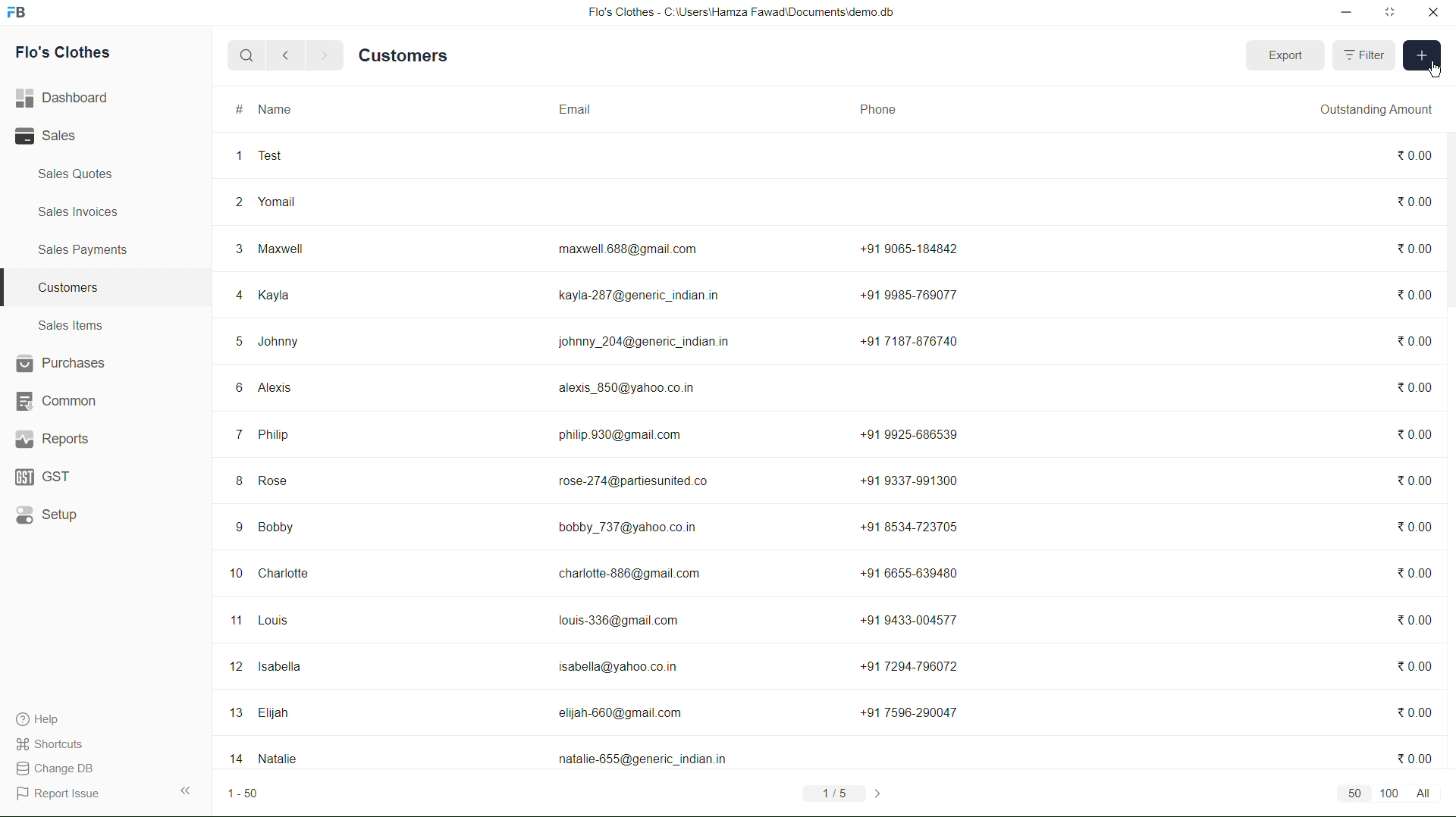 This screenshot has width=1456, height=817. I want to click on Sales Quotes, so click(73, 175).